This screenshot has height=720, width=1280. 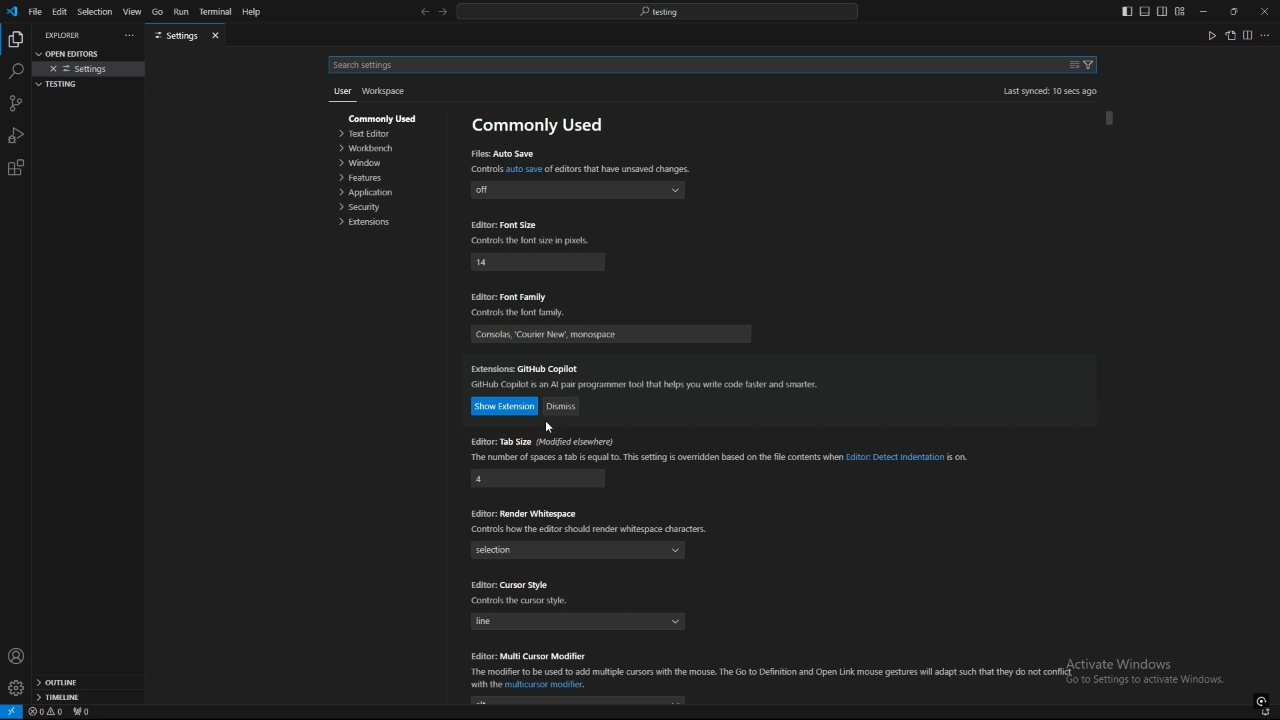 What do you see at coordinates (16, 135) in the screenshot?
I see `run and debug` at bounding box center [16, 135].